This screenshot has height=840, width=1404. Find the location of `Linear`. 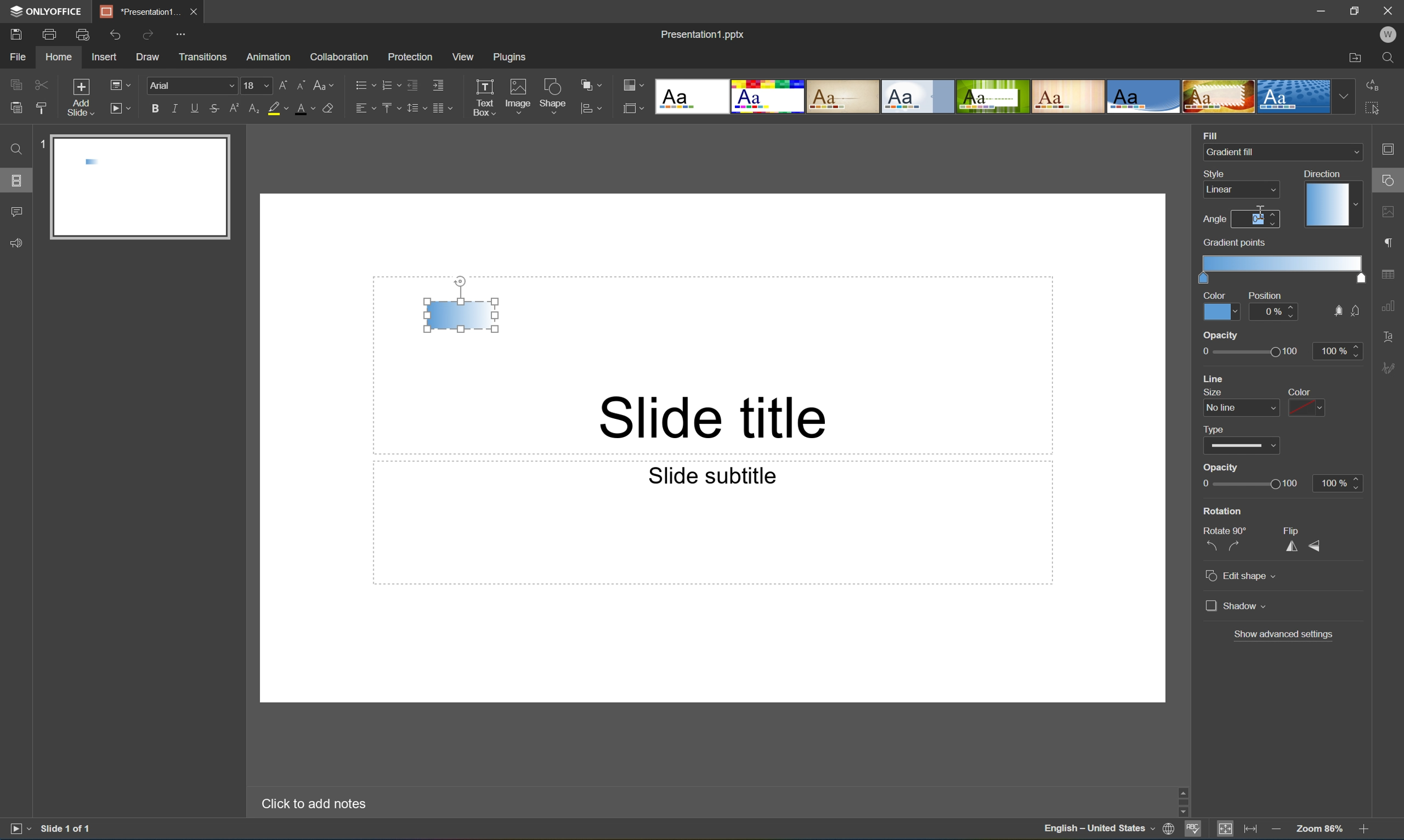

Linear is located at coordinates (1222, 189).